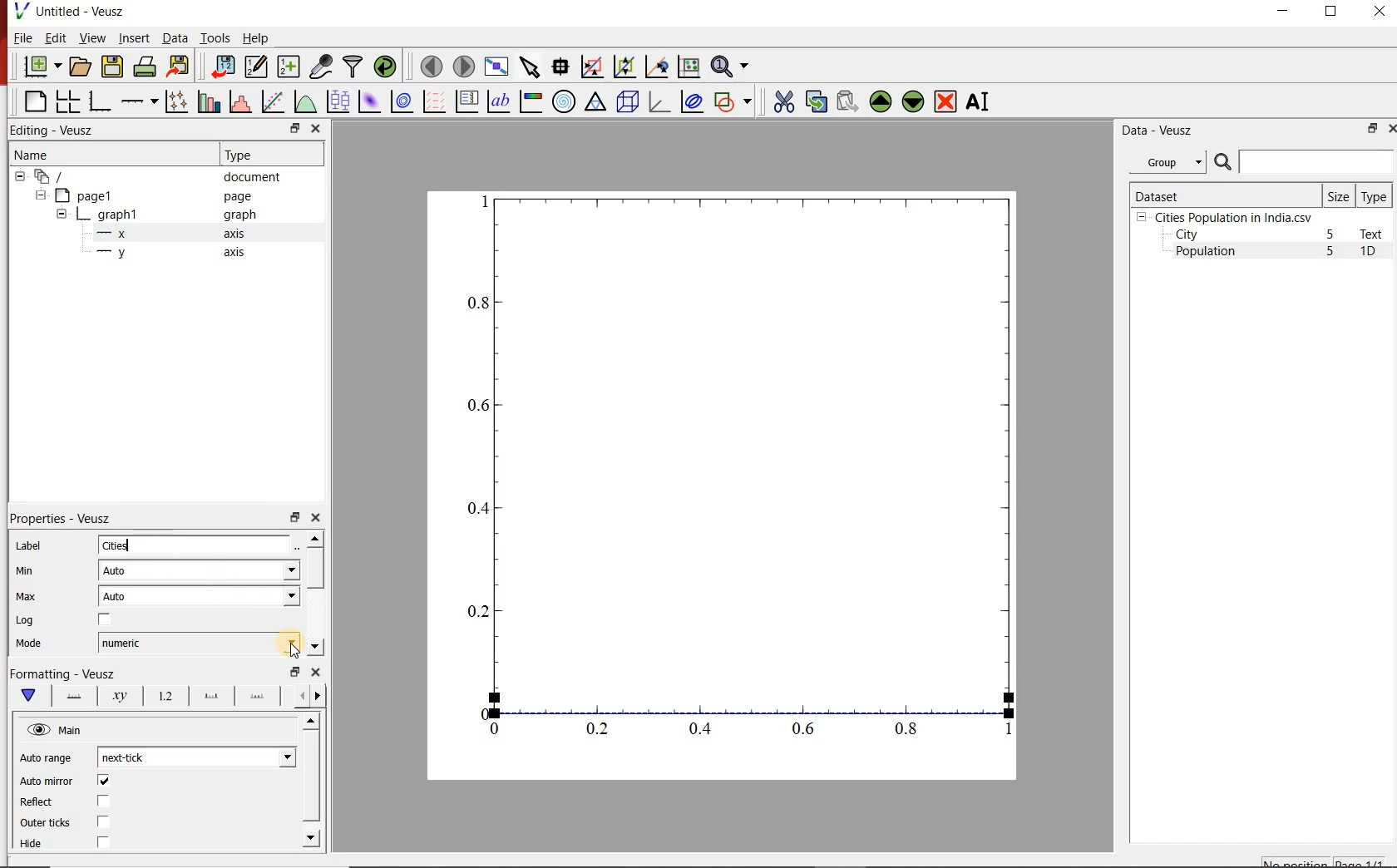 The width and height of the screenshot is (1397, 868). What do you see at coordinates (159, 215) in the screenshot?
I see `graph1` at bounding box center [159, 215].